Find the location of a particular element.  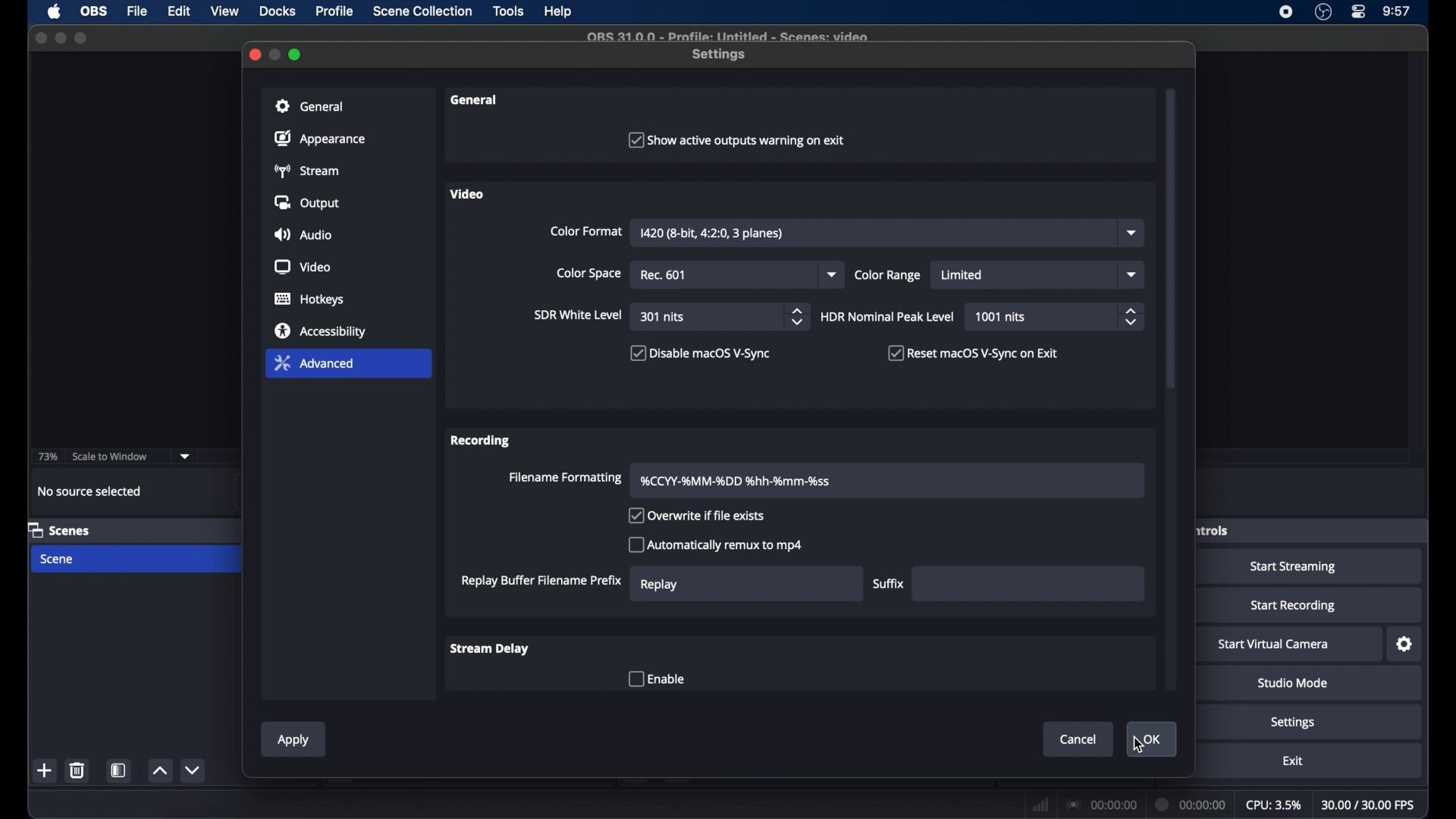

start streaming is located at coordinates (1296, 567).